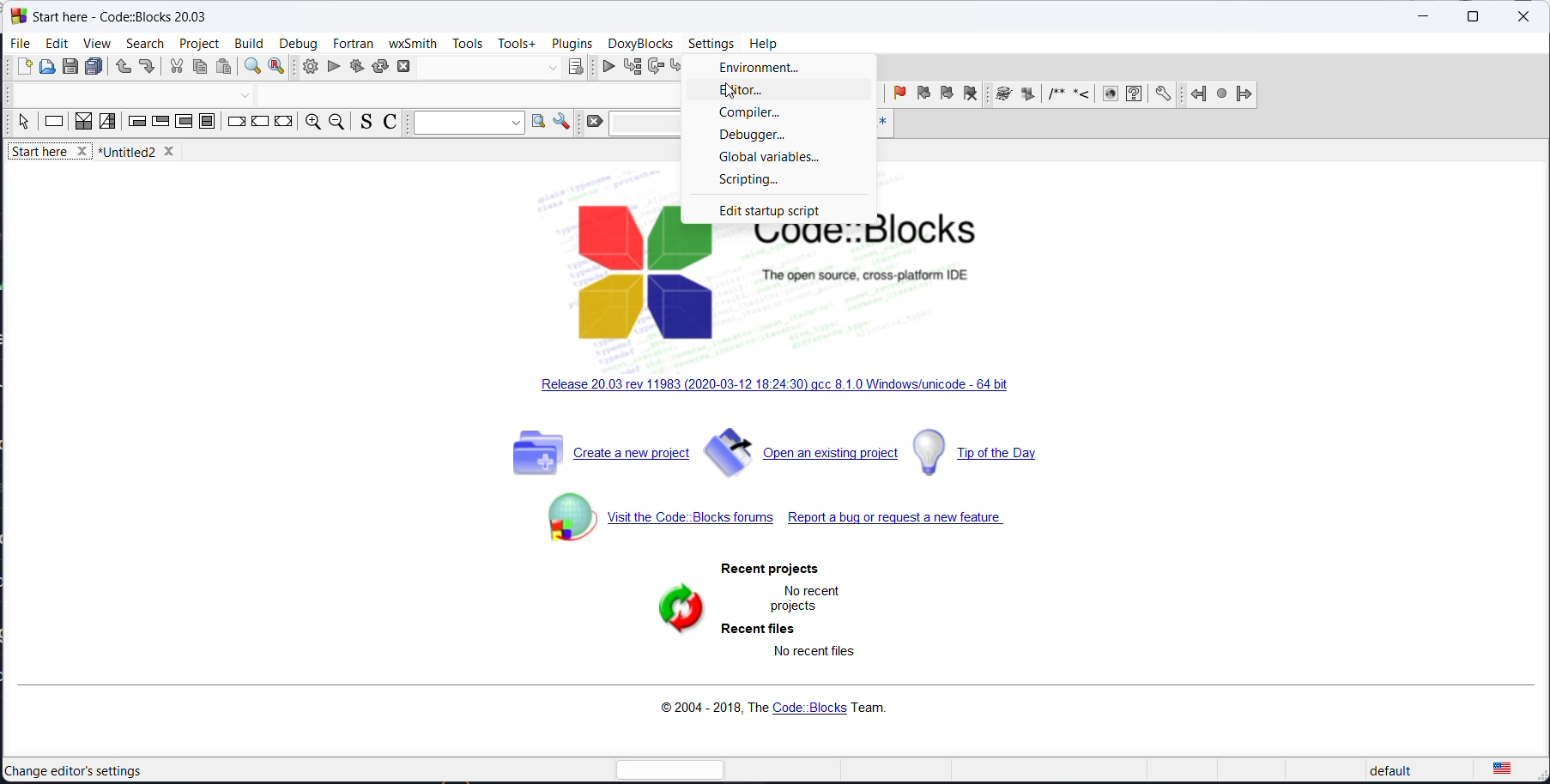 The height and width of the screenshot is (784, 1550). I want to click on faq, so click(1134, 95).